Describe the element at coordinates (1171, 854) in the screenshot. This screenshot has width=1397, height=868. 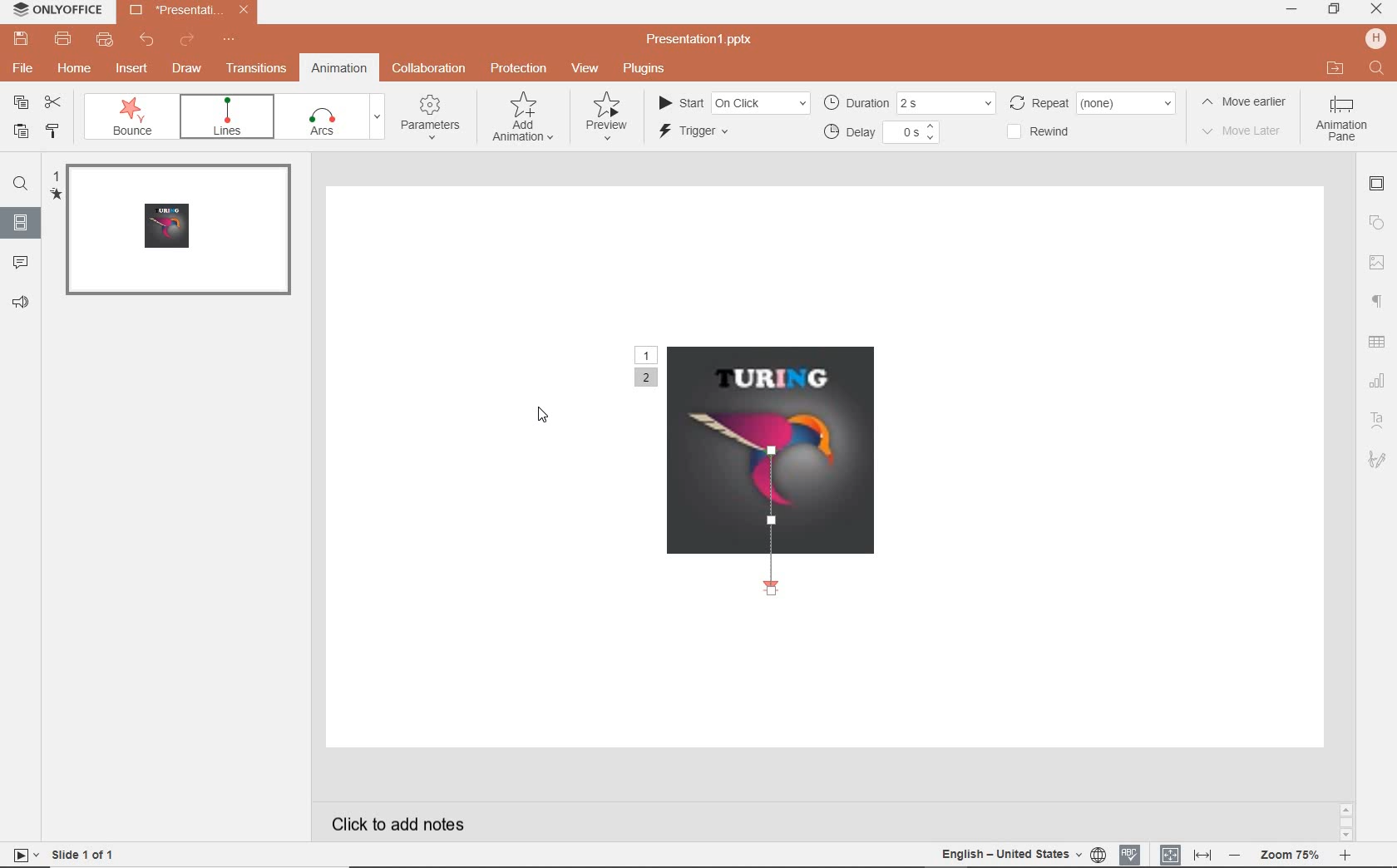
I see `fit to slide` at that location.